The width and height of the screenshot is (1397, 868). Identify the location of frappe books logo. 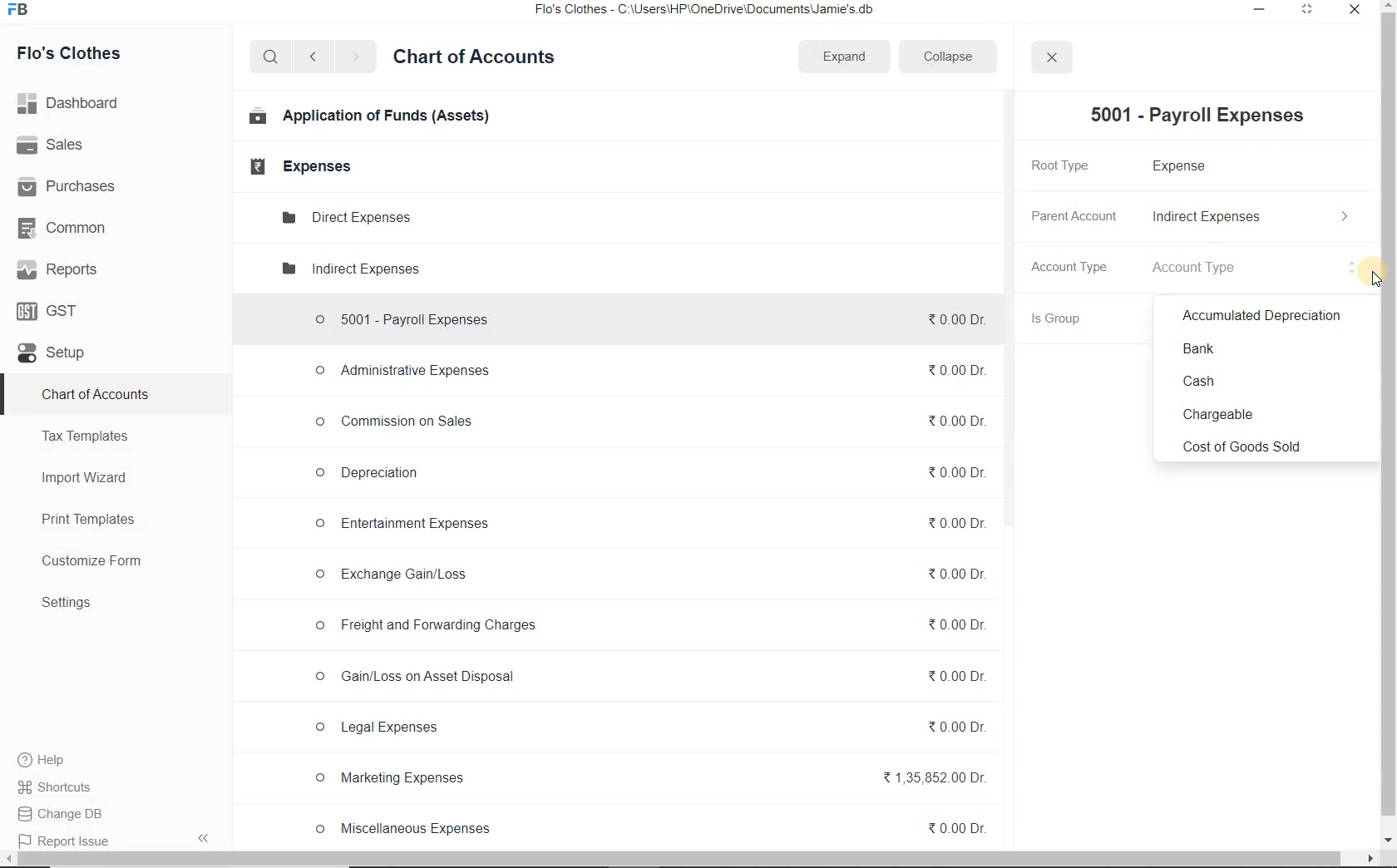
(22, 11).